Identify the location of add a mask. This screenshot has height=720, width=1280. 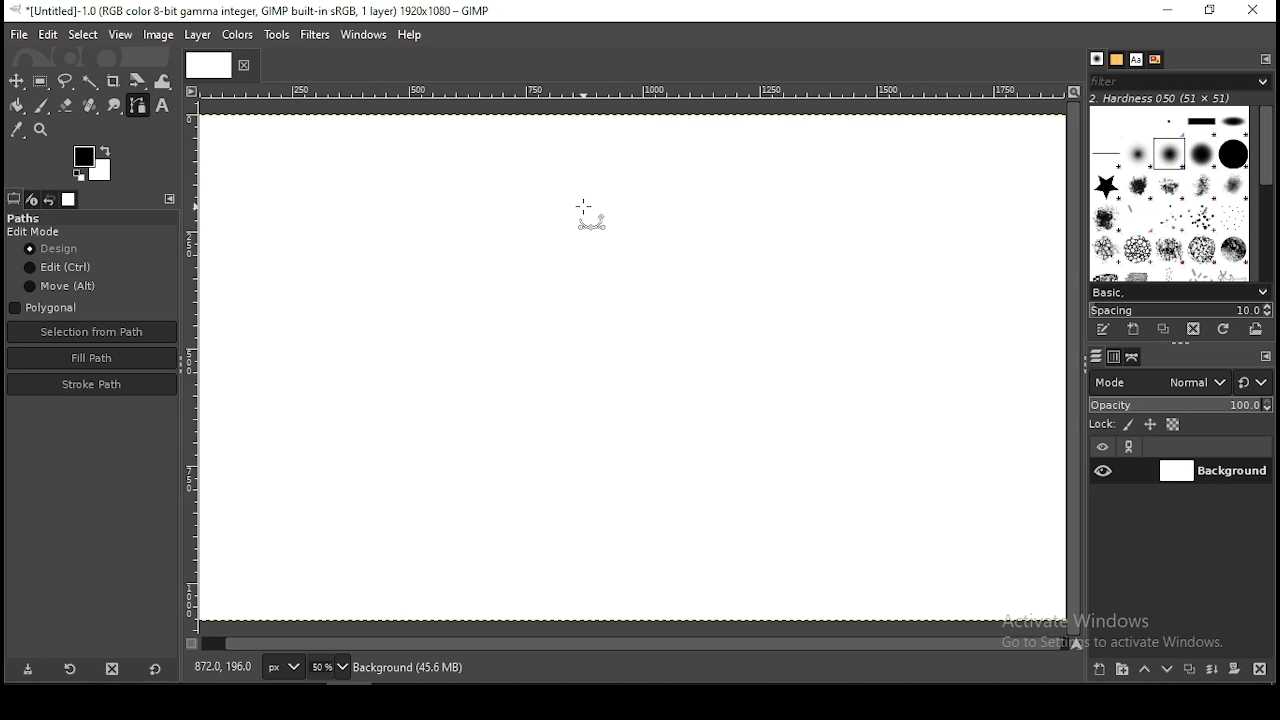
(1235, 669).